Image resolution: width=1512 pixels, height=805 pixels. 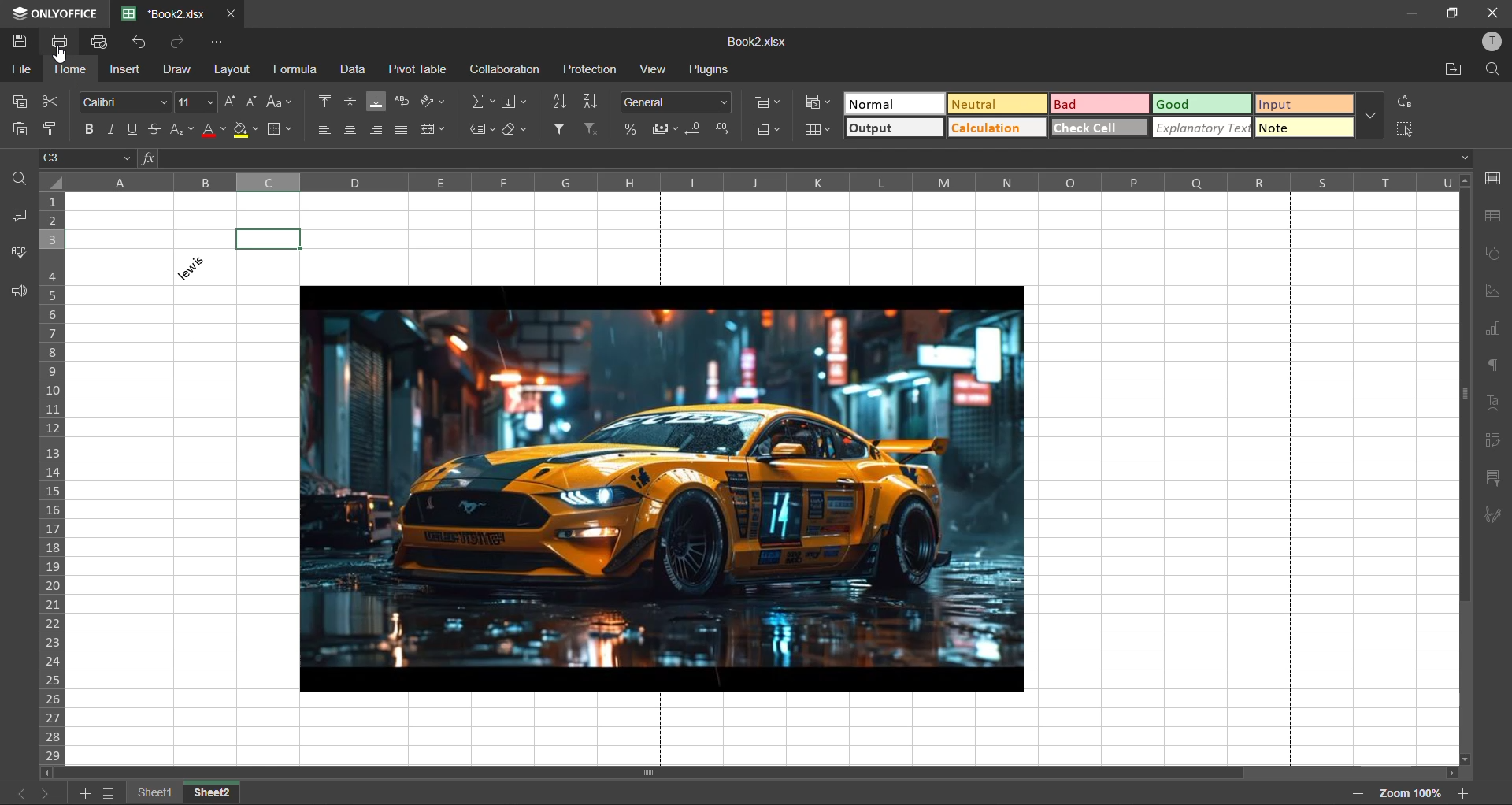 I want to click on bad, so click(x=1101, y=106).